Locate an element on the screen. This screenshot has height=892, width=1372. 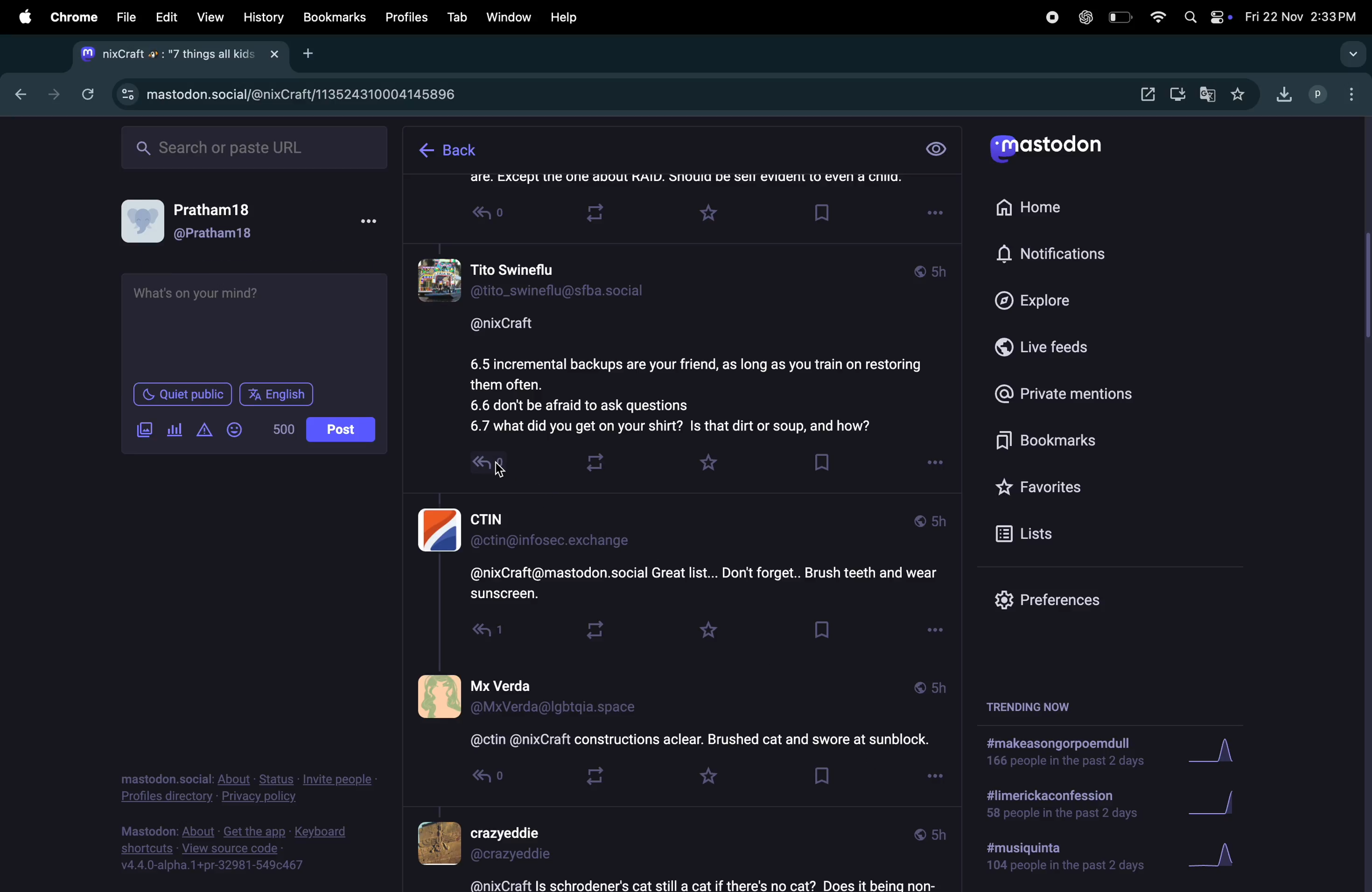
graph is located at coordinates (1215, 752).